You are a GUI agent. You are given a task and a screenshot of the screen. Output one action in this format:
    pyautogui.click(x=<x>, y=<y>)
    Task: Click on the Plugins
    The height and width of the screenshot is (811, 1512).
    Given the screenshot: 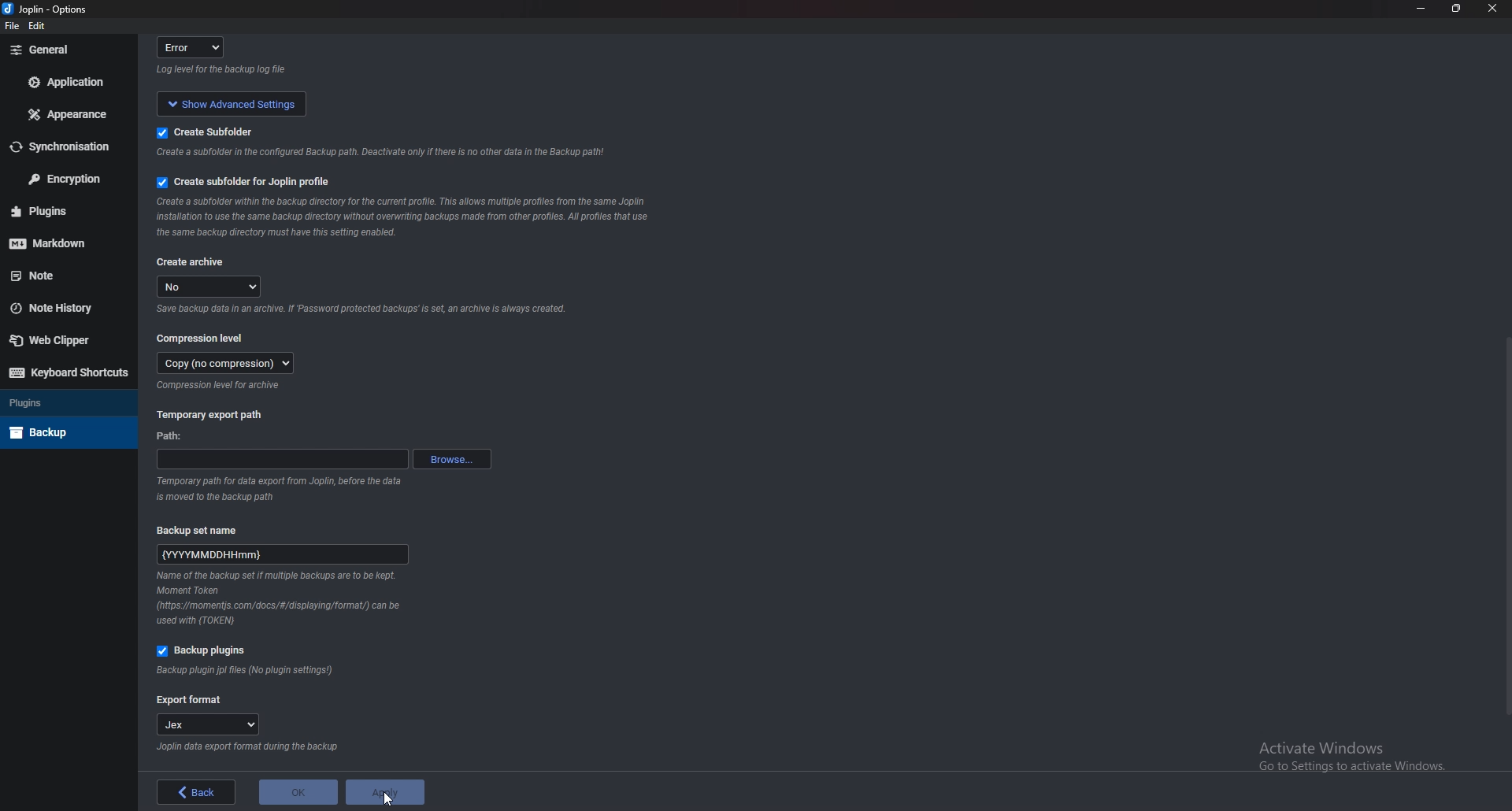 What is the action you would take?
    pyautogui.click(x=61, y=211)
    